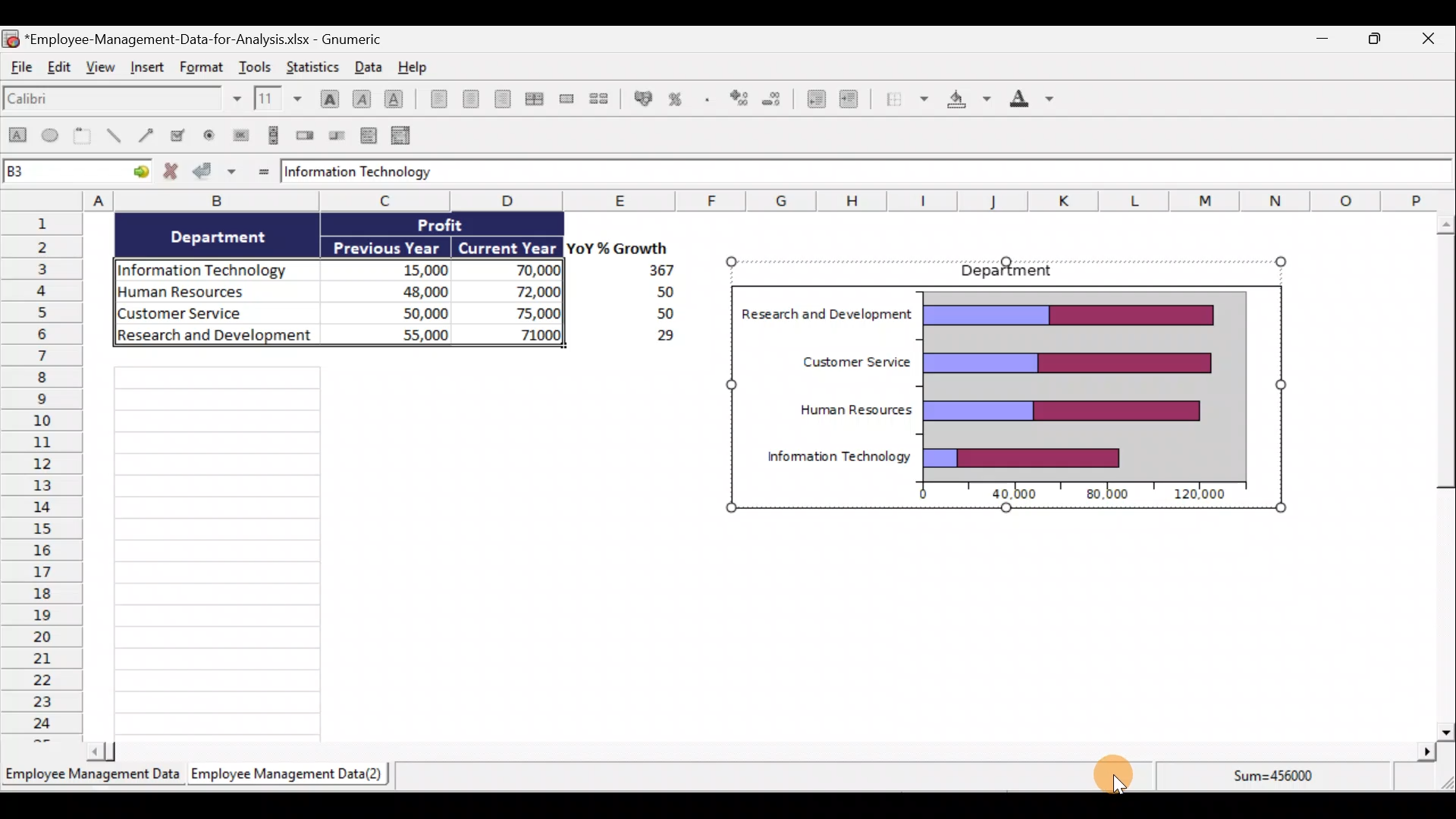 The image size is (1456, 819). What do you see at coordinates (101, 67) in the screenshot?
I see `View` at bounding box center [101, 67].